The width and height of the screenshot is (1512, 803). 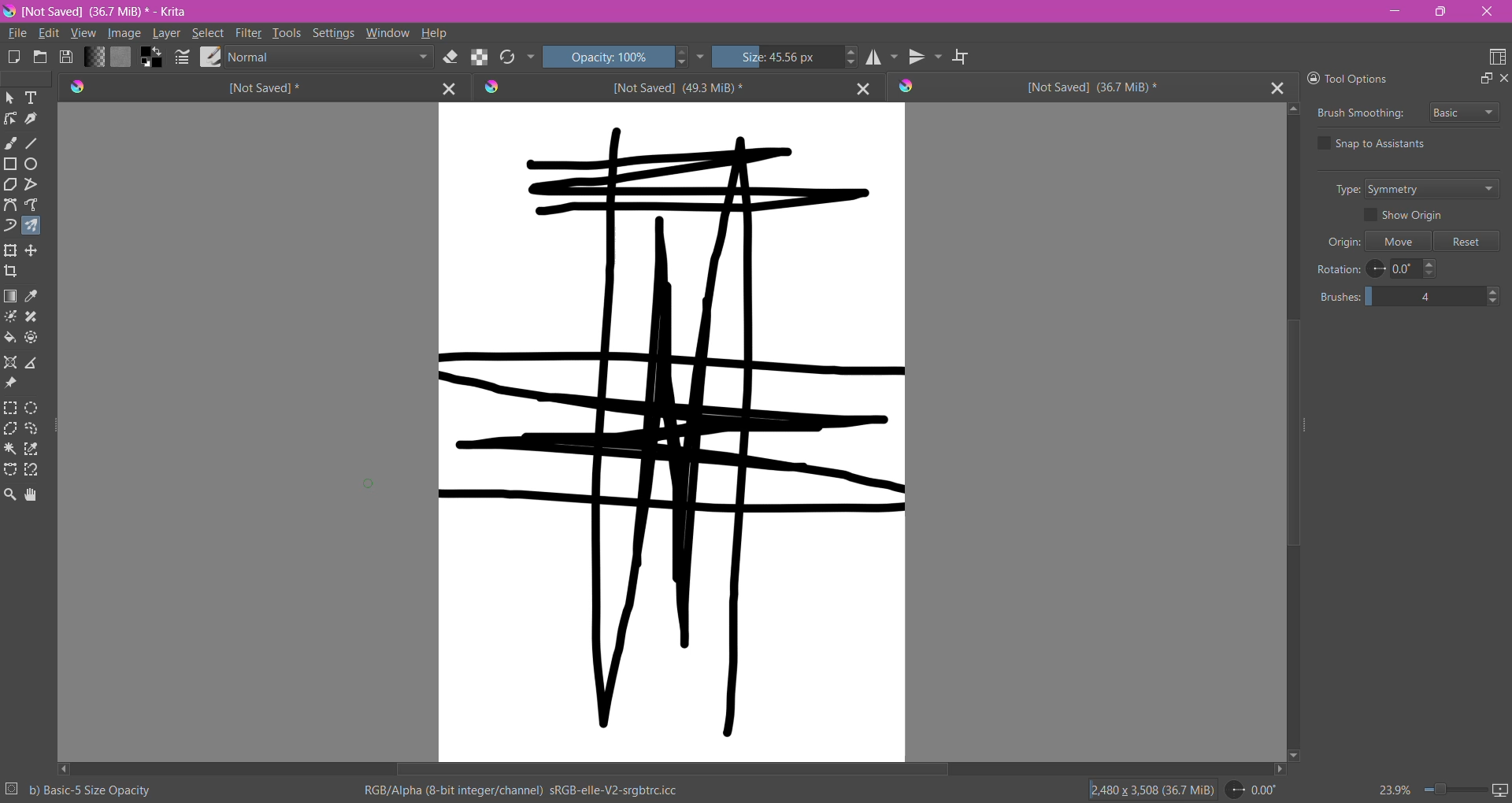 I want to click on Polygonal Selection Tool, so click(x=11, y=428).